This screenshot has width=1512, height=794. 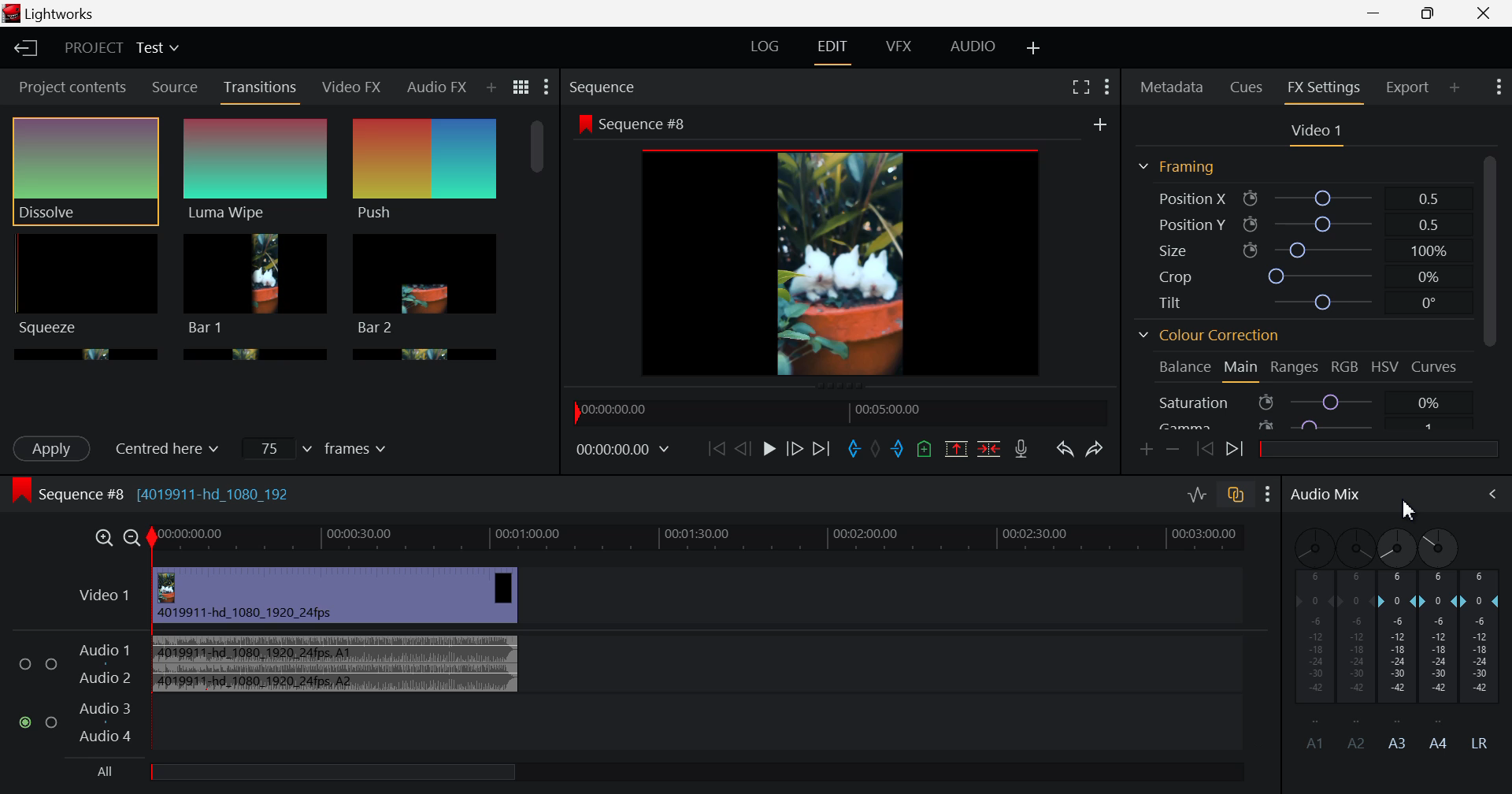 What do you see at coordinates (23, 46) in the screenshot?
I see `Back to Homepage` at bounding box center [23, 46].